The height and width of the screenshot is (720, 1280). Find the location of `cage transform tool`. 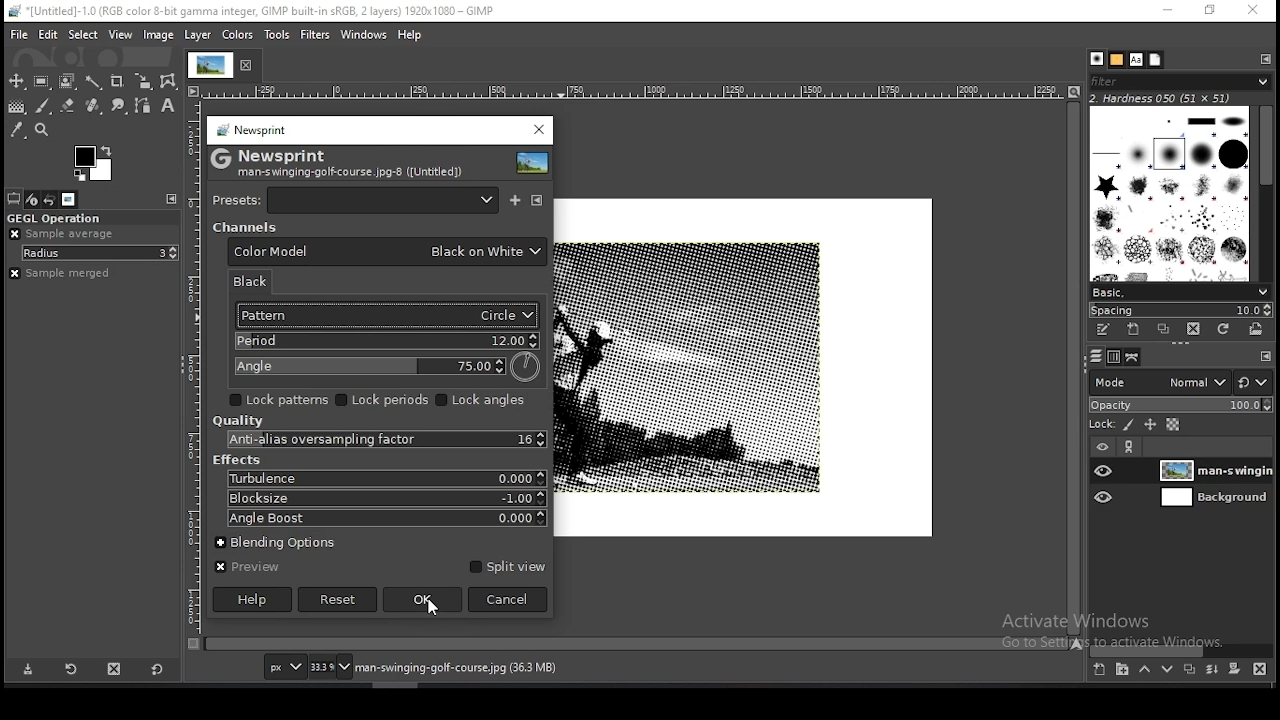

cage transform tool is located at coordinates (170, 82).